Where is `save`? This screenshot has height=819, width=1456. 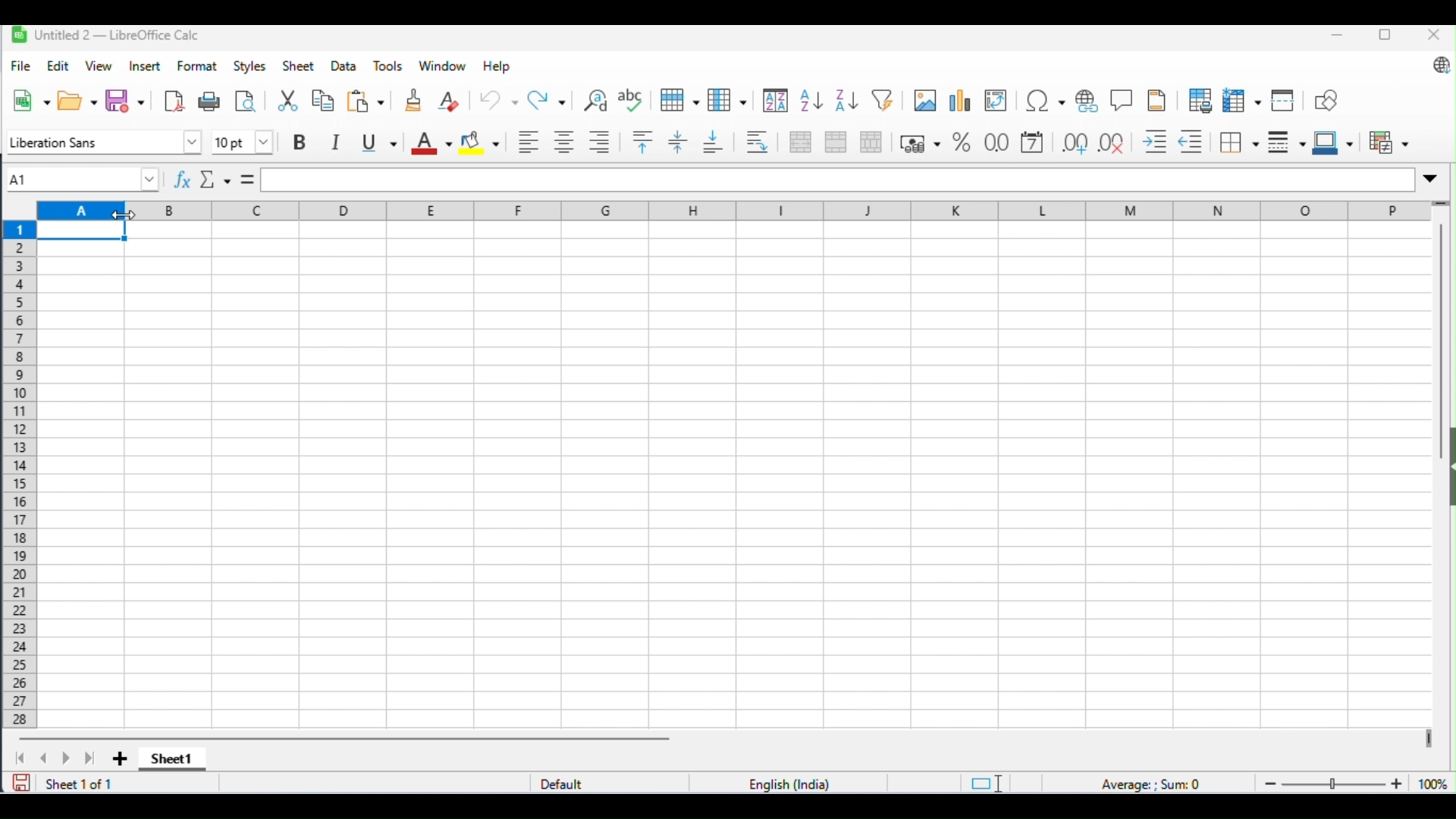 save is located at coordinates (22, 782).